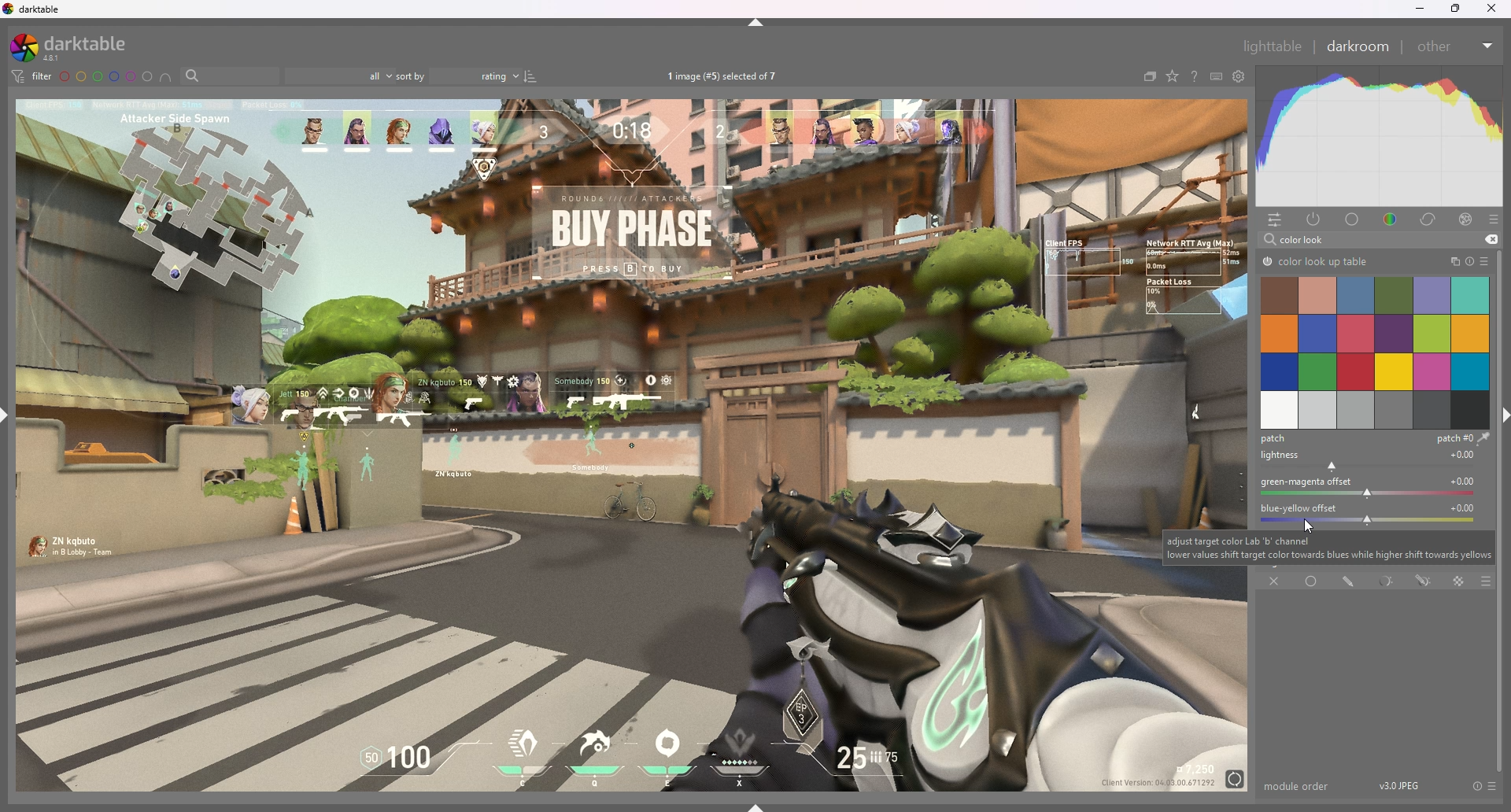 The image size is (1511, 812). I want to click on green magnets offset, so click(1372, 489).